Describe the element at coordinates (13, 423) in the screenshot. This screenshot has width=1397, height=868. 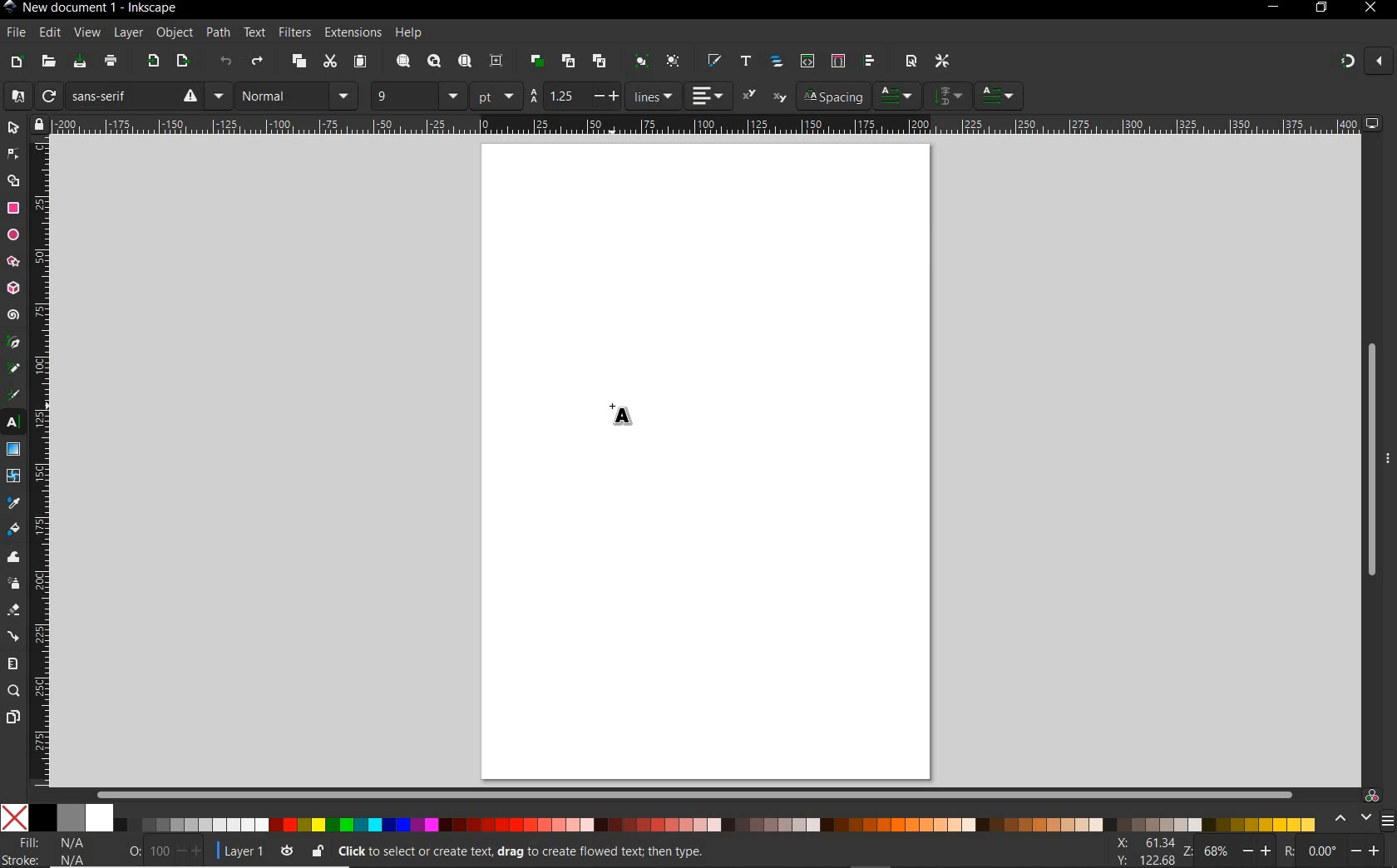
I see `text tool` at that location.